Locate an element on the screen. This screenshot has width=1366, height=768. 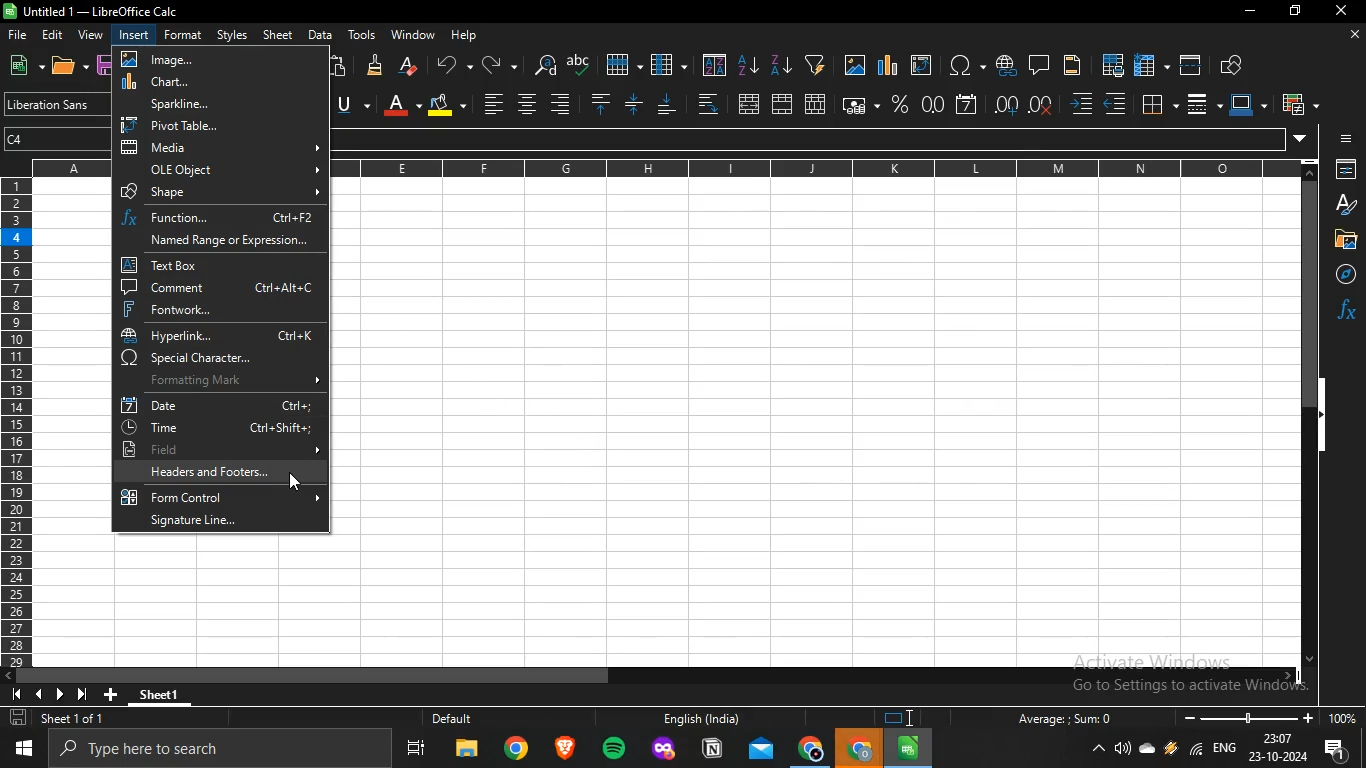
winamp agent is located at coordinates (1171, 754).